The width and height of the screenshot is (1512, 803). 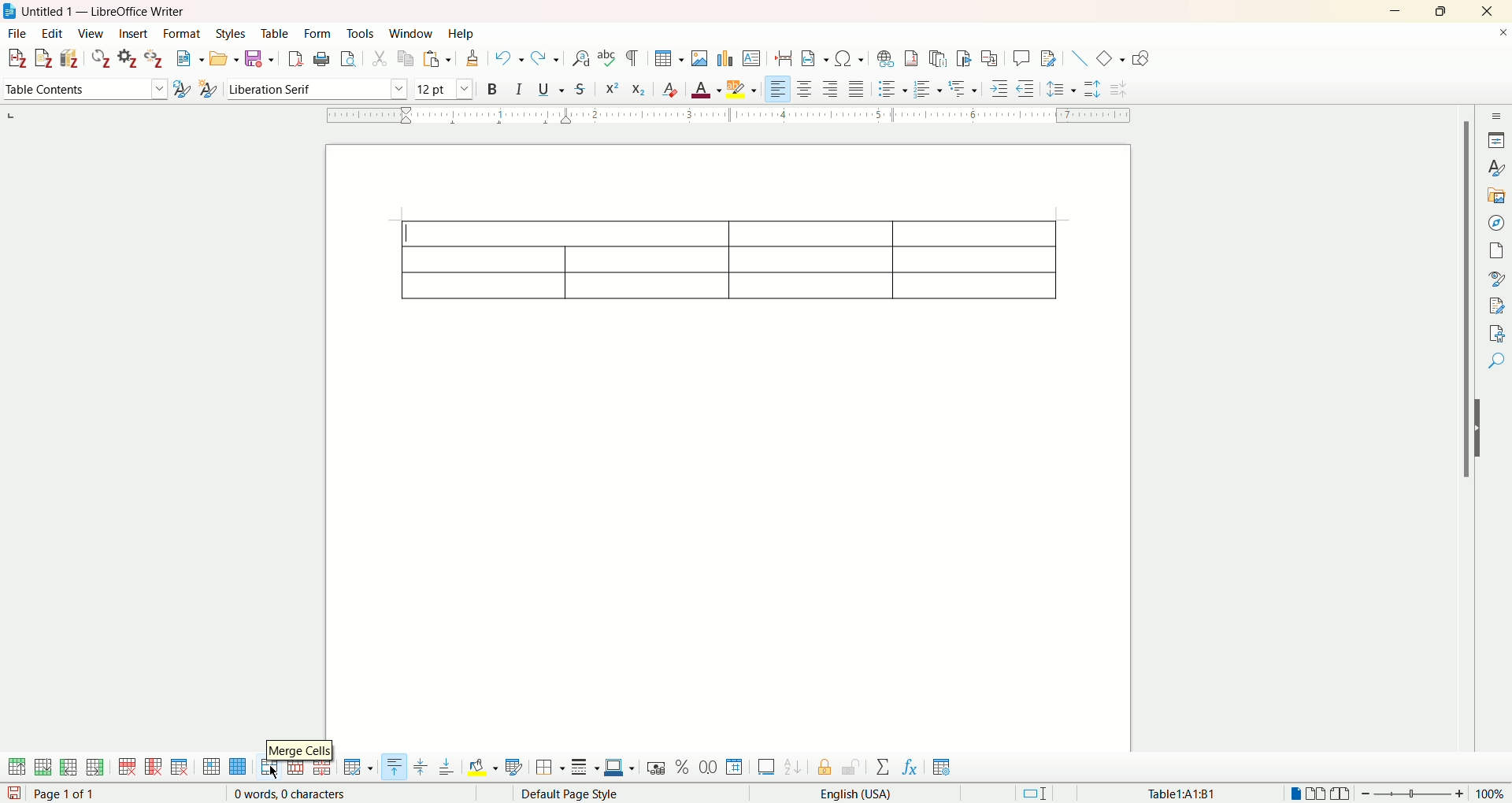 What do you see at coordinates (850, 59) in the screenshot?
I see `insert special character` at bounding box center [850, 59].